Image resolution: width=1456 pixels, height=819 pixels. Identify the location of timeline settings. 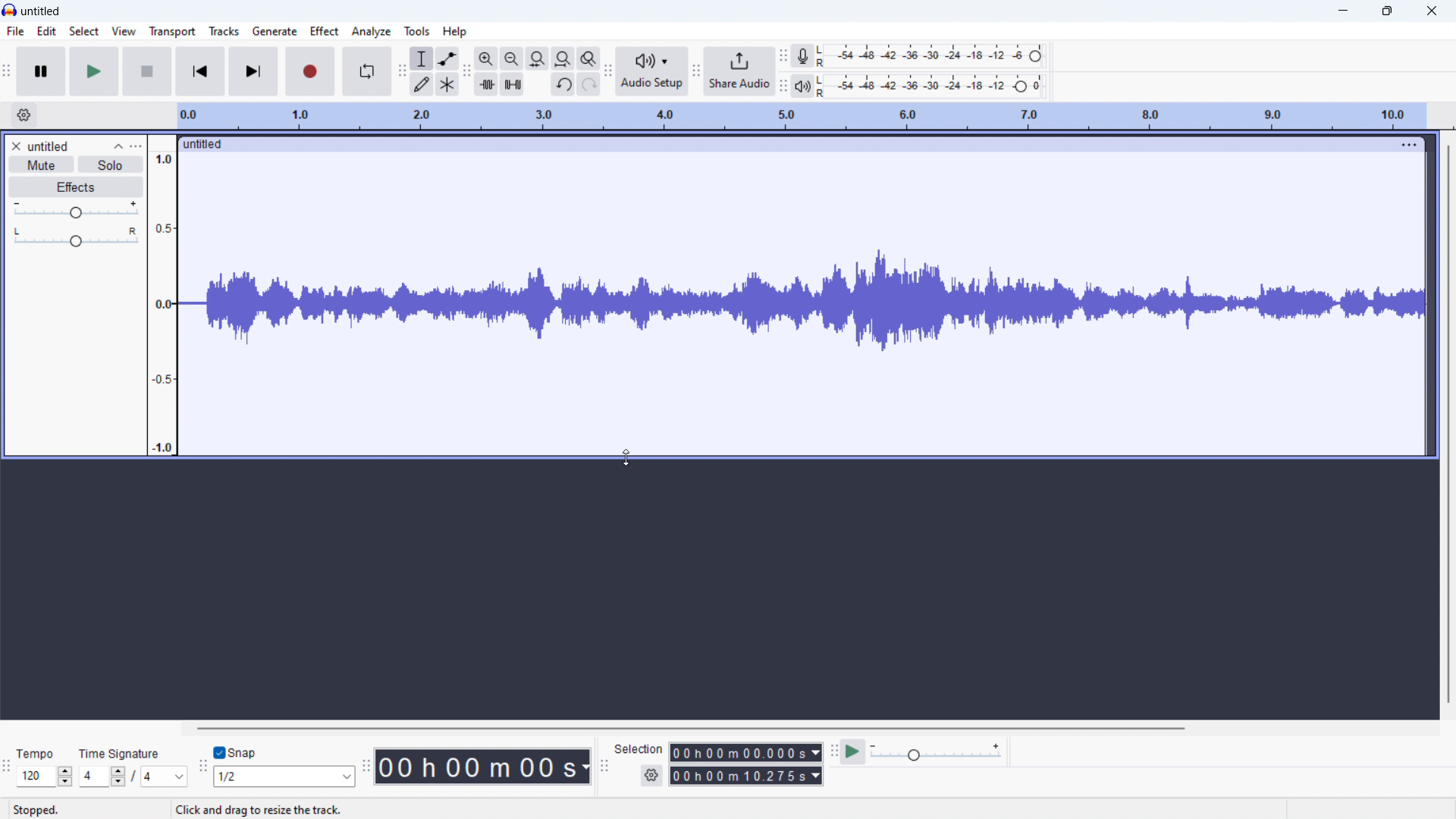
(24, 115).